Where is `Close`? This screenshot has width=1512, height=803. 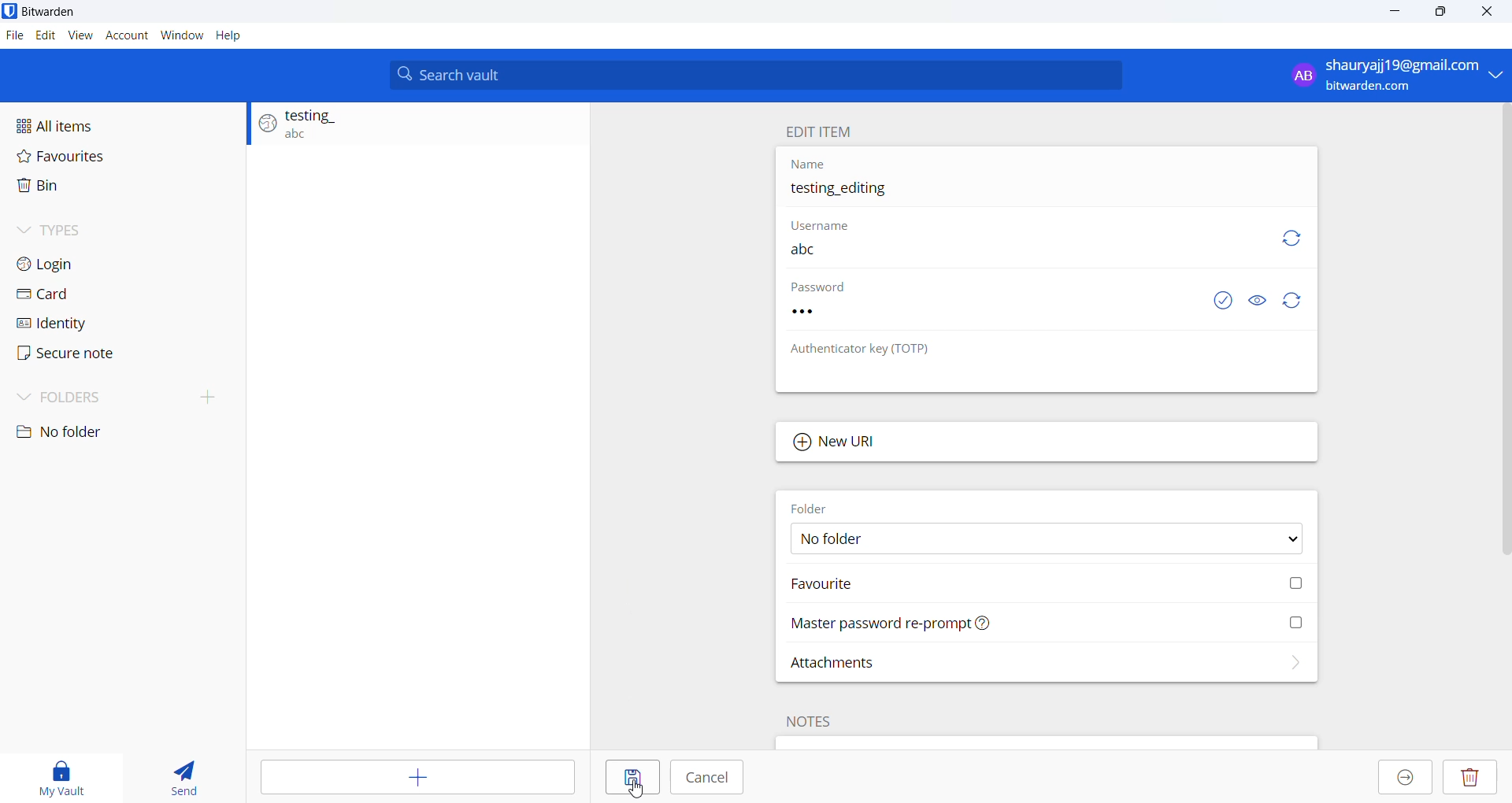 Close is located at coordinates (1492, 14).